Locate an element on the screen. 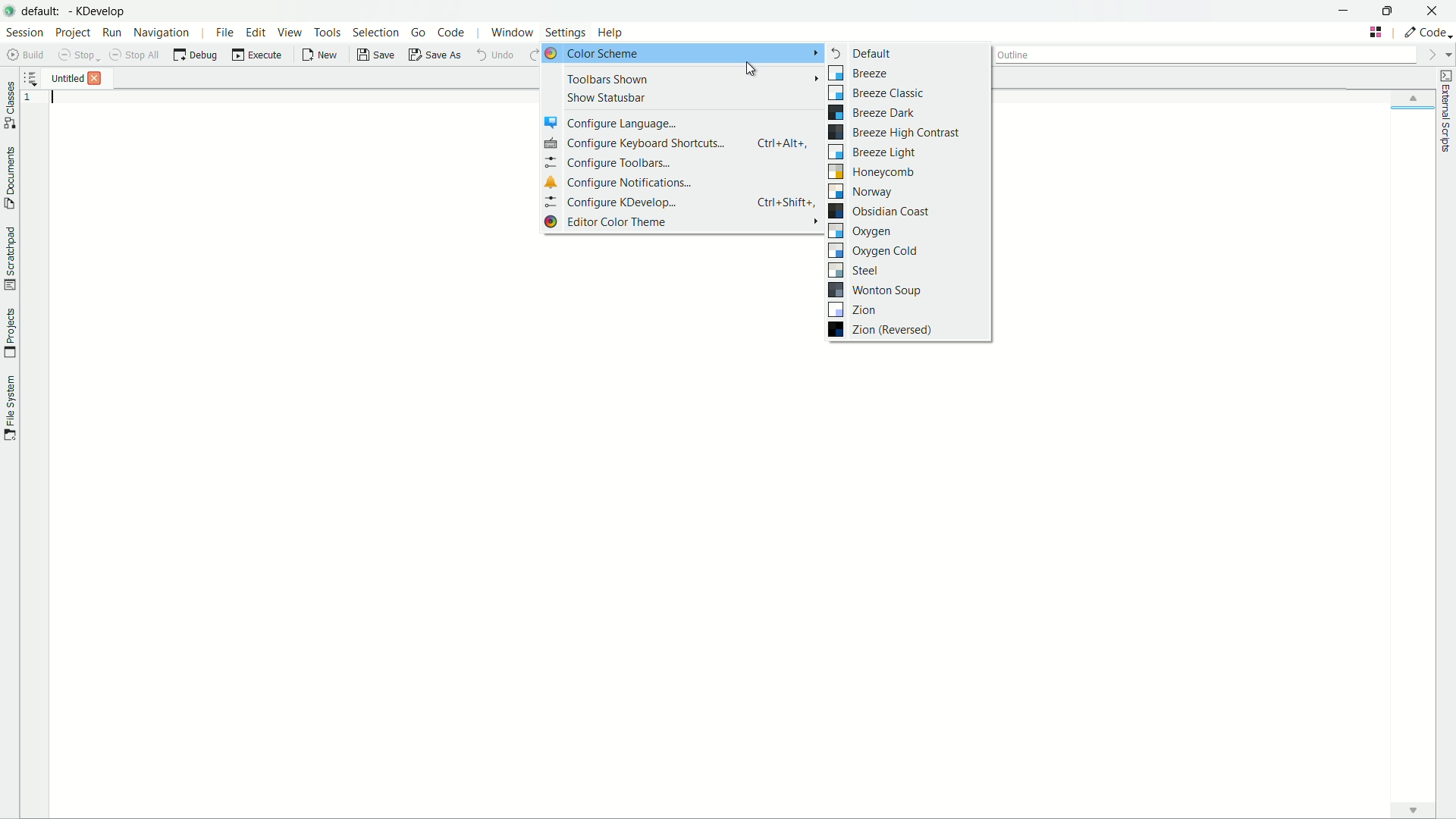  breeze is located at coordinates (857, 73).